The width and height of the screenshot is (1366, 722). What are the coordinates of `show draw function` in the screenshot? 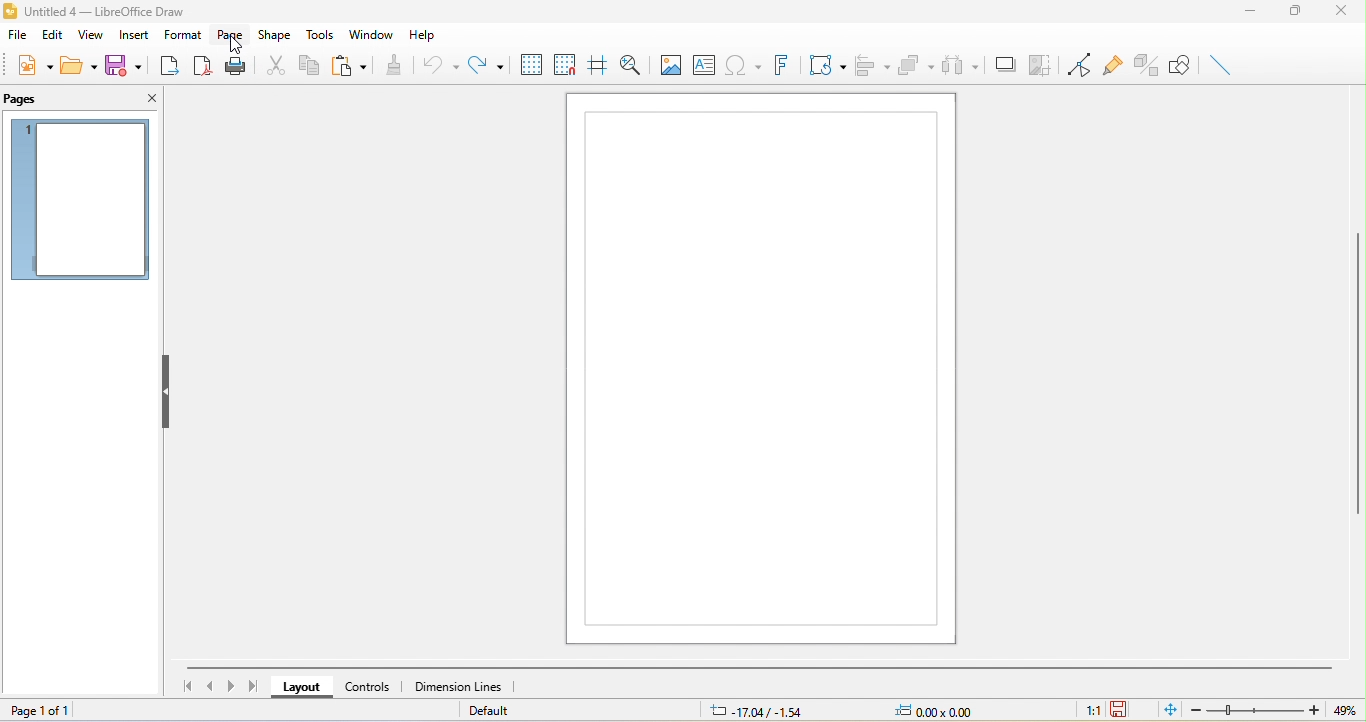 It's located at (1180, 65).